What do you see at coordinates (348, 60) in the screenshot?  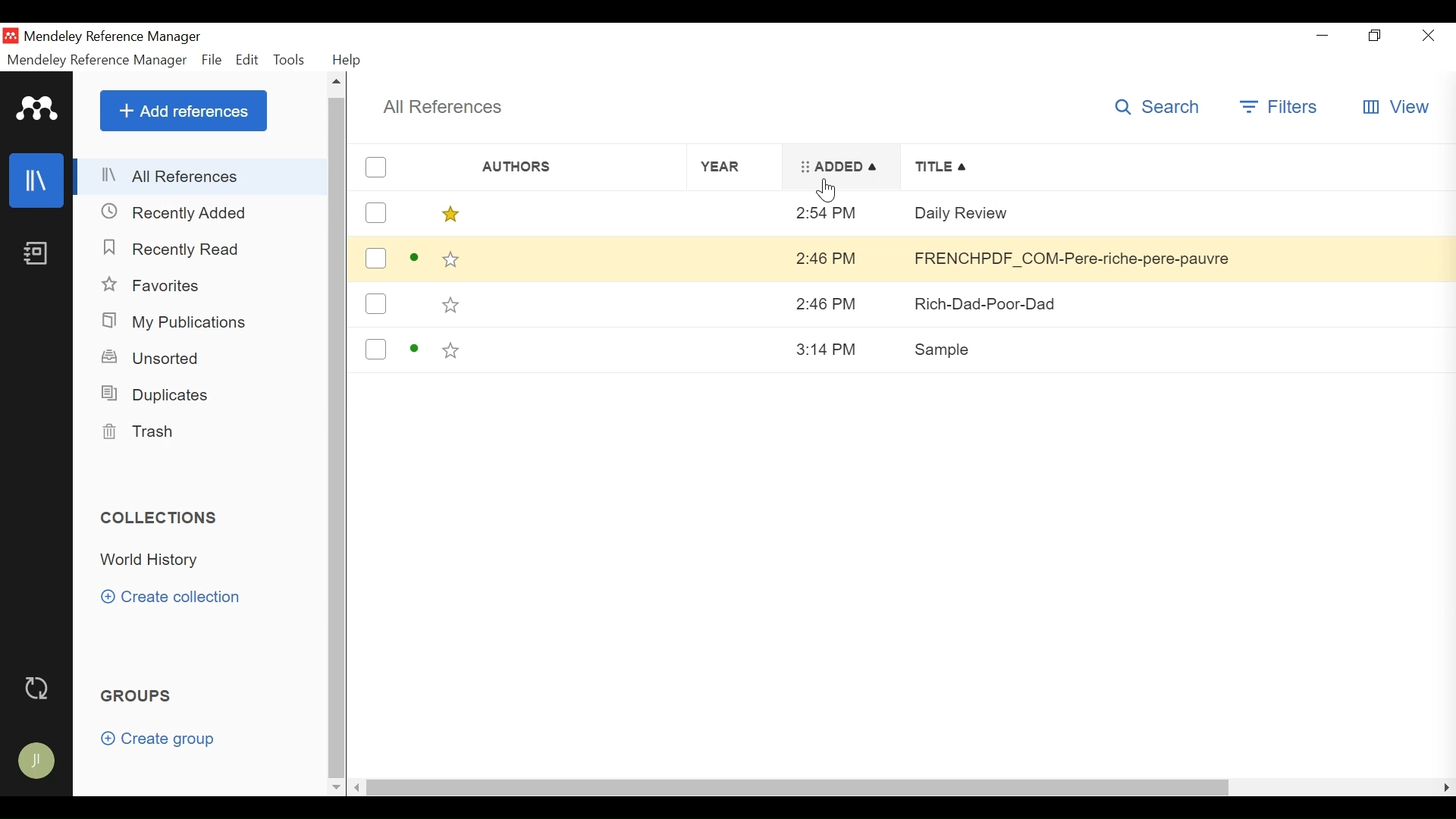 I see `Help` at bounding box center [348, 60].